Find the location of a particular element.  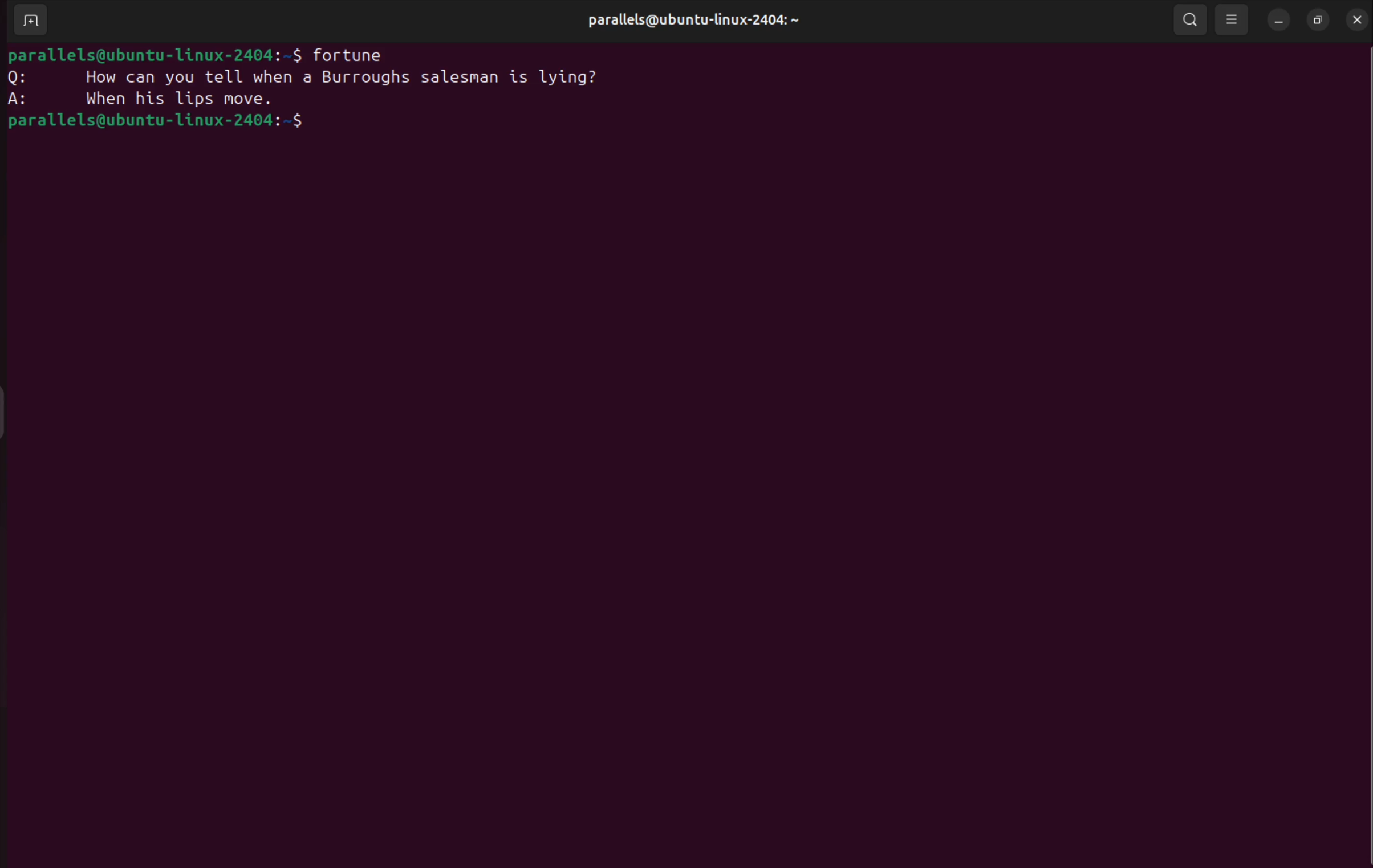

when his hips move is located at coordinates (184, 101).